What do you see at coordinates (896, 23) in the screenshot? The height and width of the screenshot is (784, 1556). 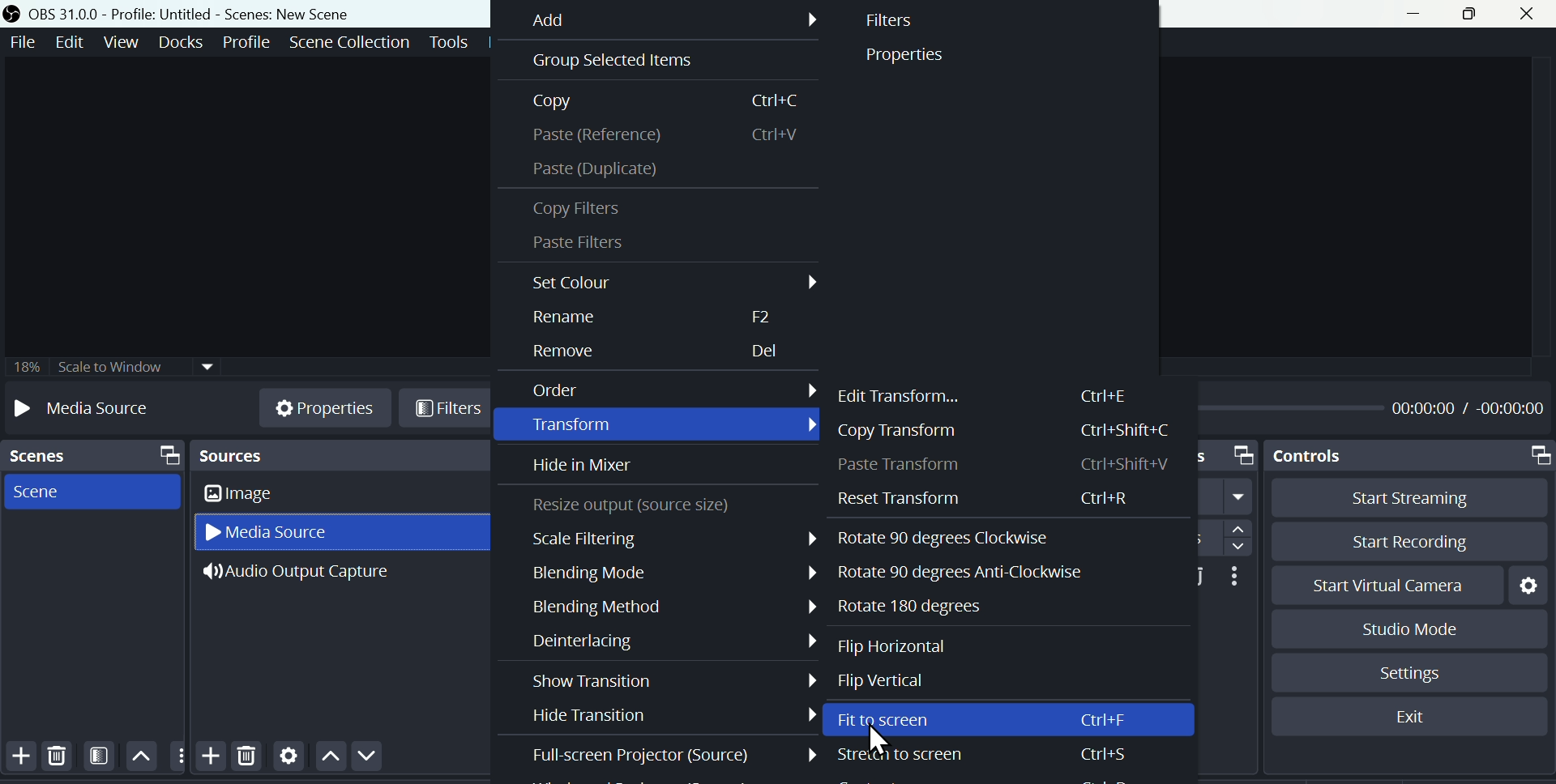 I see `Filter` at bounding box center [896, 23].